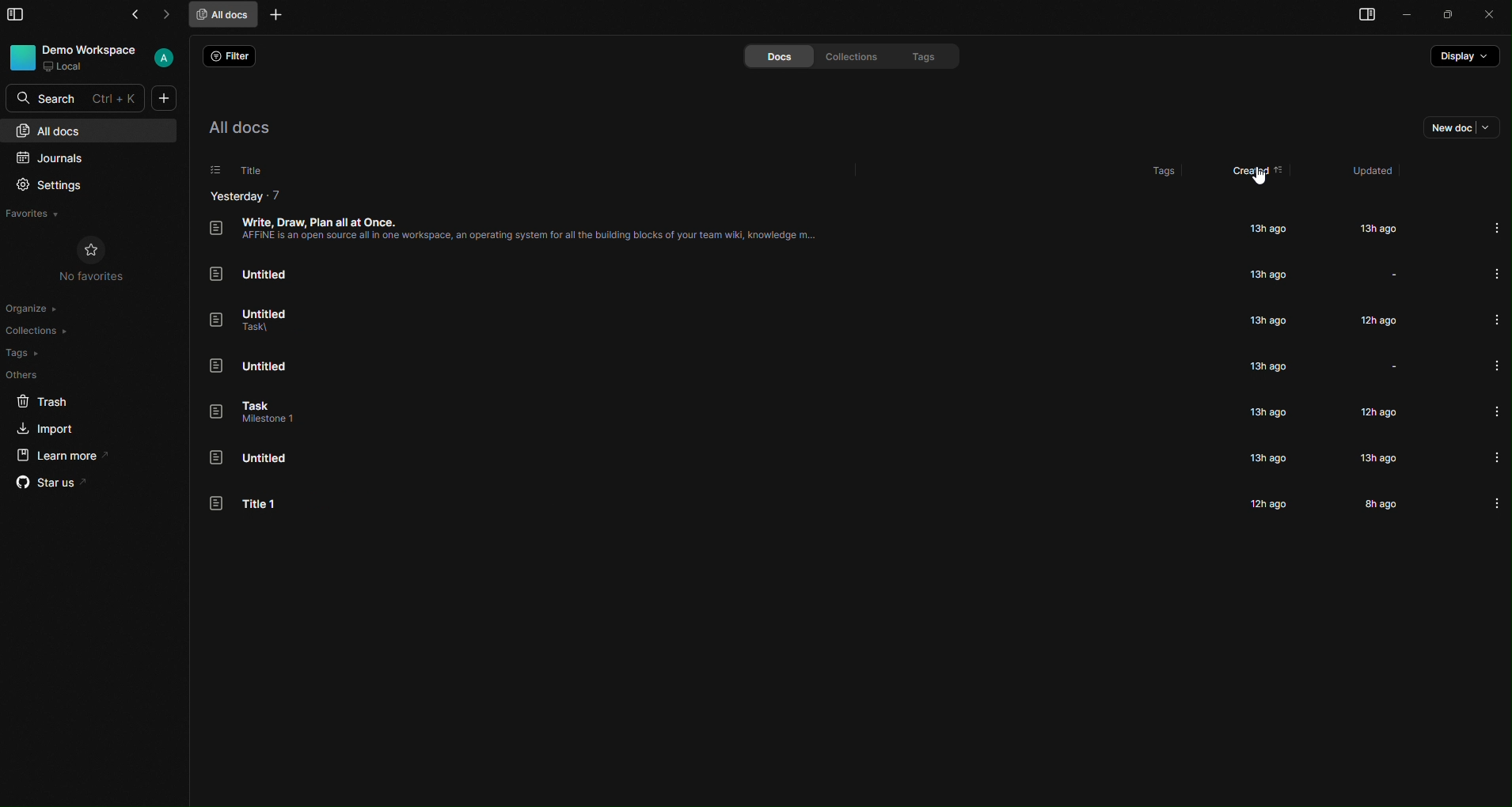  I want to click on more info, so click(1496, 319).